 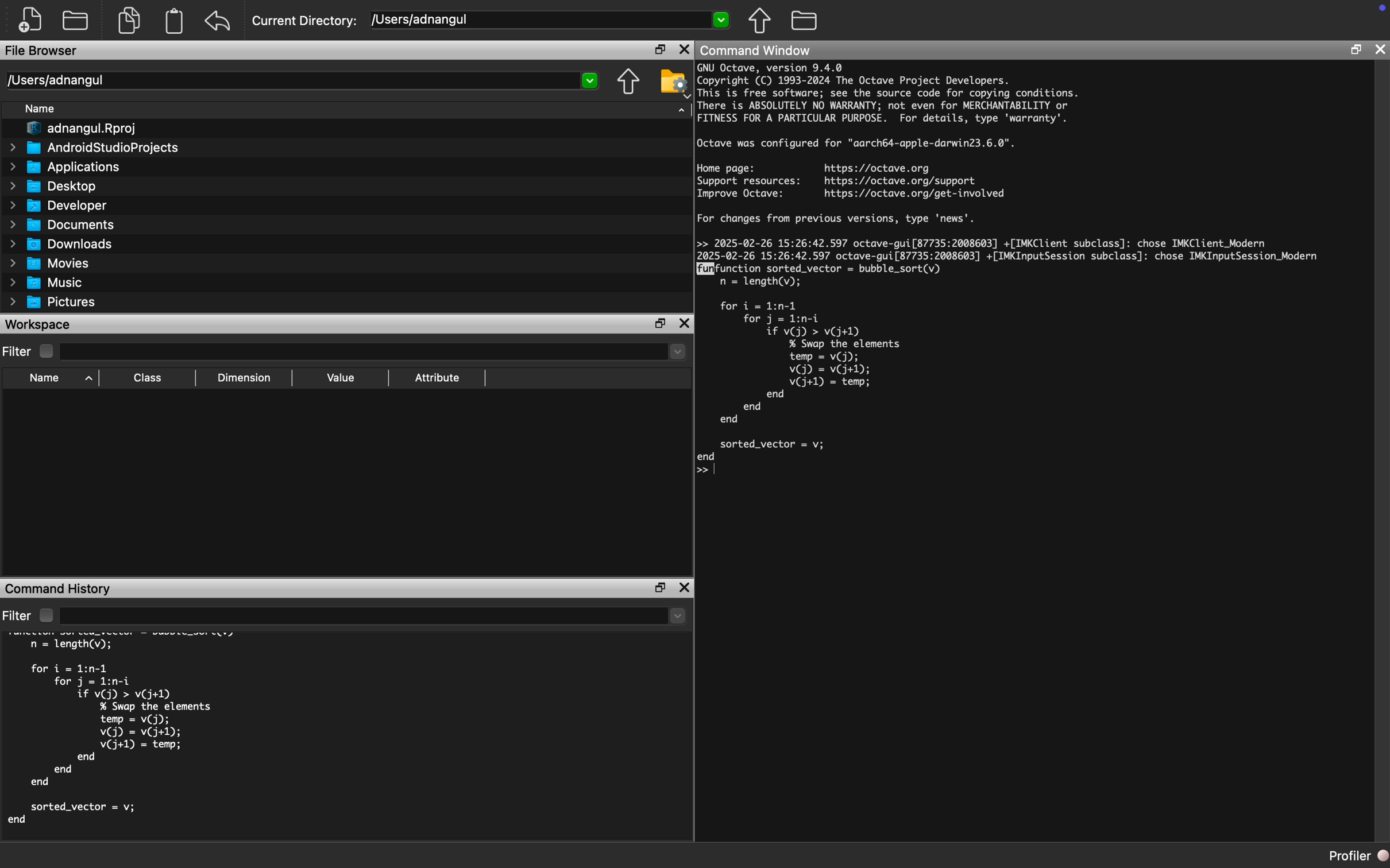 What do you see at coordinates (113, 734) in the screenshot?
I see `n = length(v);
for i = 1:n-1
for j = 1:n-i
if v(3) > v(G+1)
% Swap the elements
temp = v(3);
v(3) = v(j+1);
v(j+1) = temp;
end
end
end
sorted_vector = v;
end` at bounding box center [113, 734].